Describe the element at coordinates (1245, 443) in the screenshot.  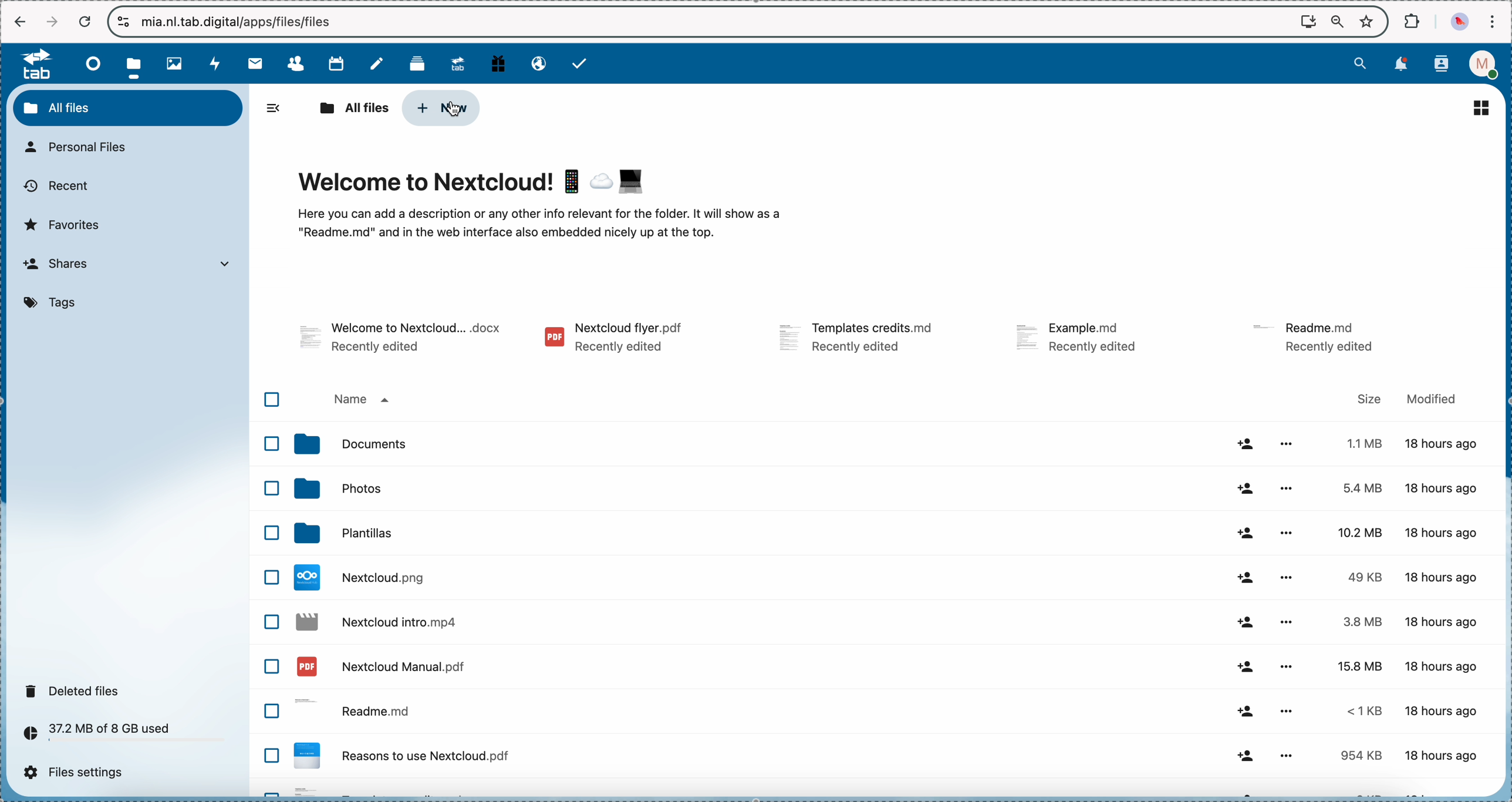
I see `share` at that location.